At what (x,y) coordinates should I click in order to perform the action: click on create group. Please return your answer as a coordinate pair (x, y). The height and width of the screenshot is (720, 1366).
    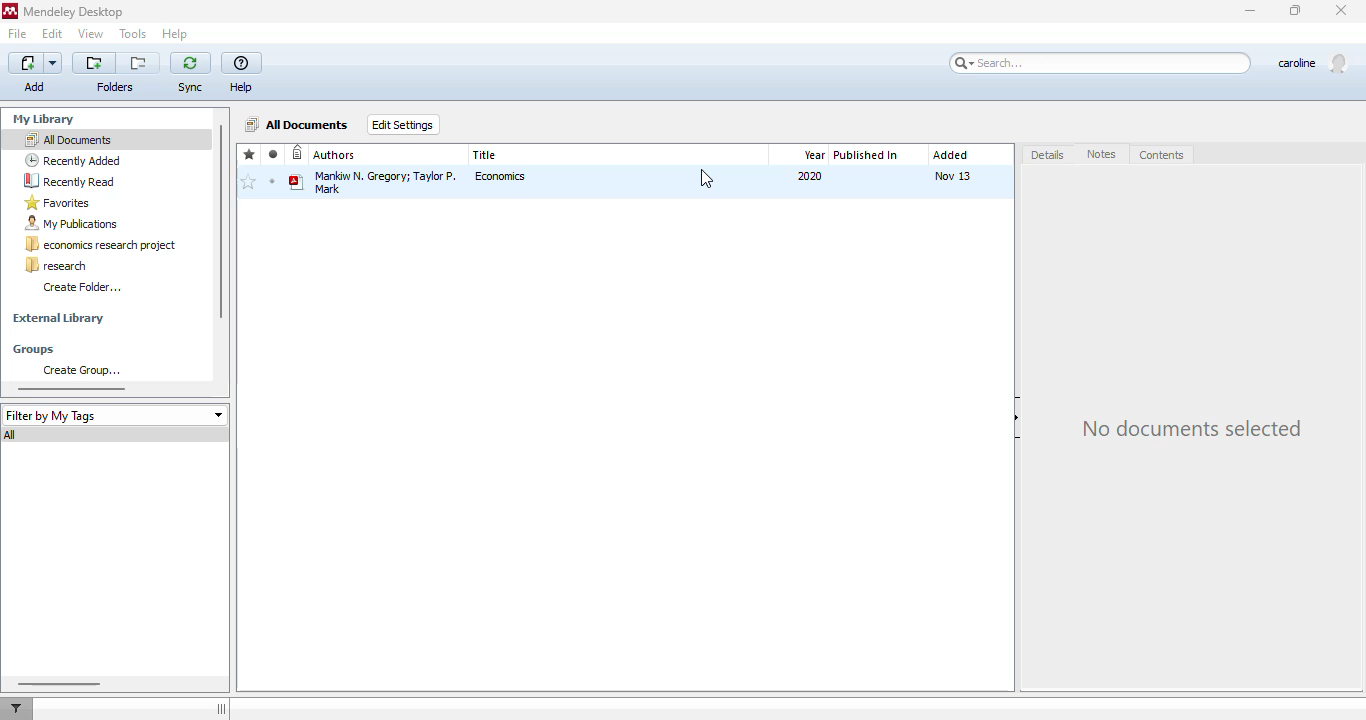
    Looking at the image, I should click on (81, 370).